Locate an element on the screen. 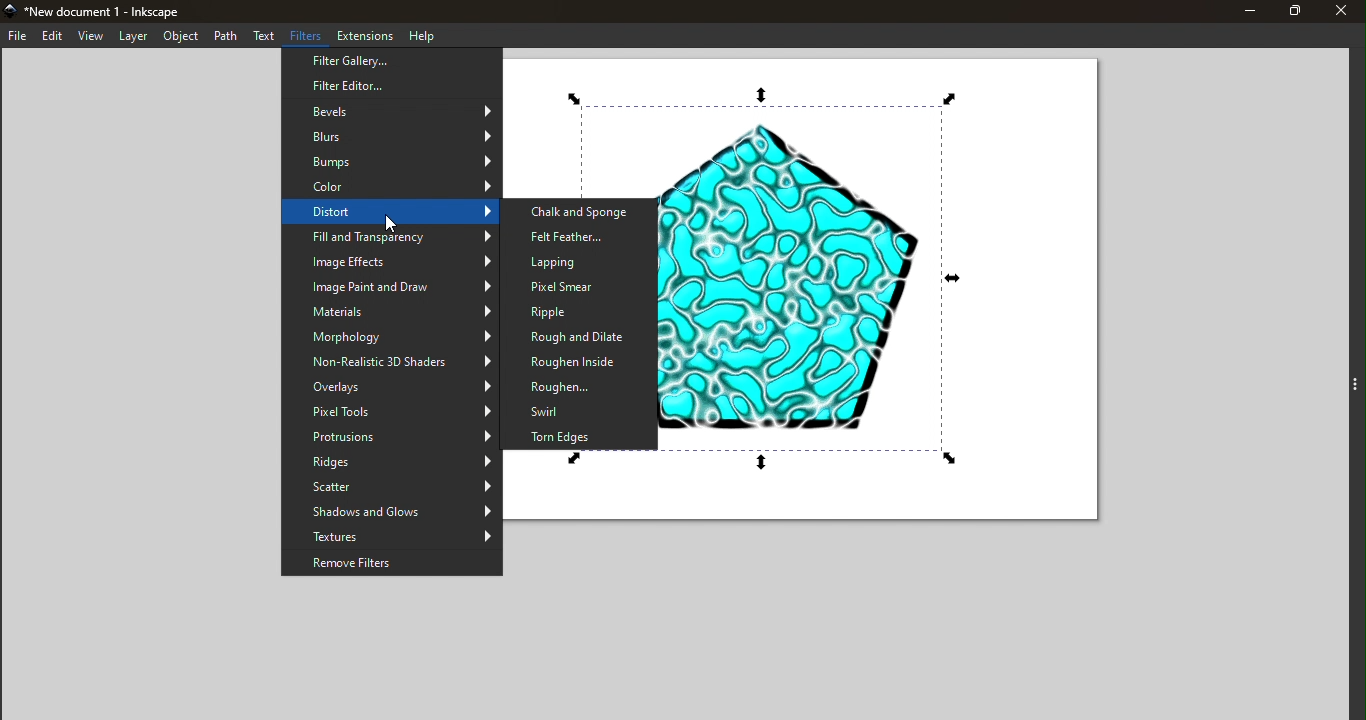  Extensions is located at coordinates (366, 34).